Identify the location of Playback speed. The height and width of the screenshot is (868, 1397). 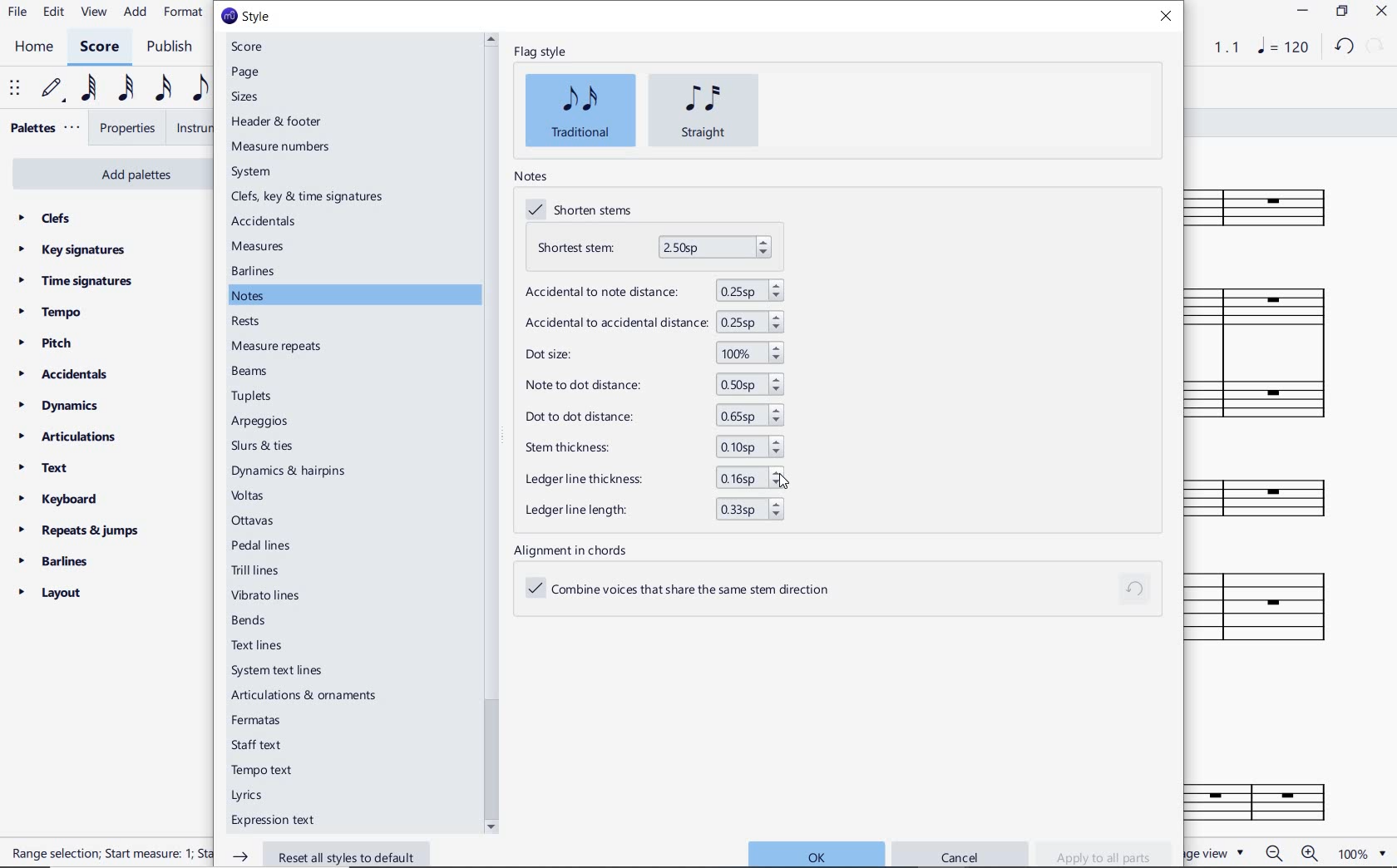
(1228, 47).